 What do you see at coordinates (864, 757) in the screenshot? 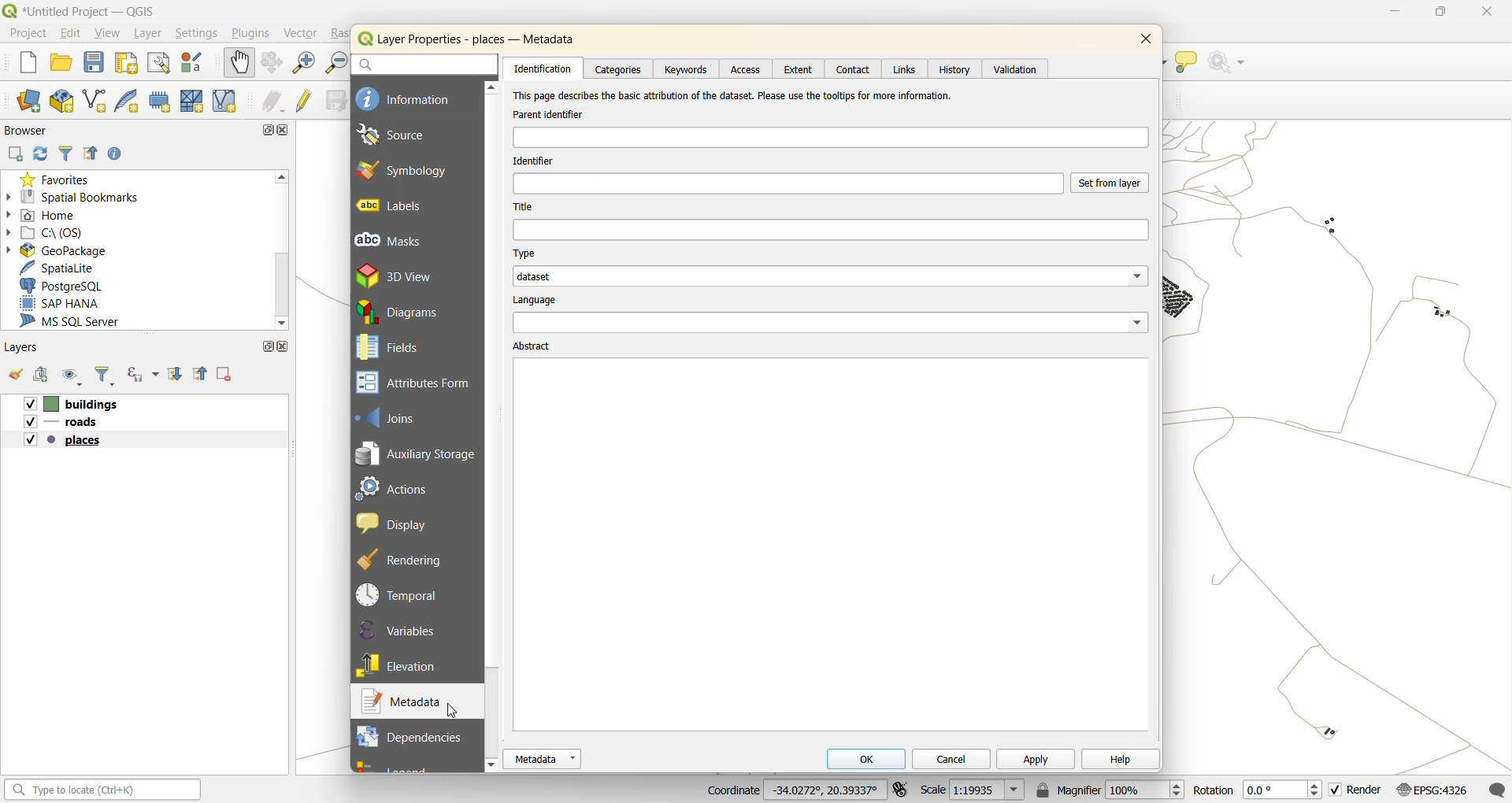
I see `ok` at bounding box center [864, 757].